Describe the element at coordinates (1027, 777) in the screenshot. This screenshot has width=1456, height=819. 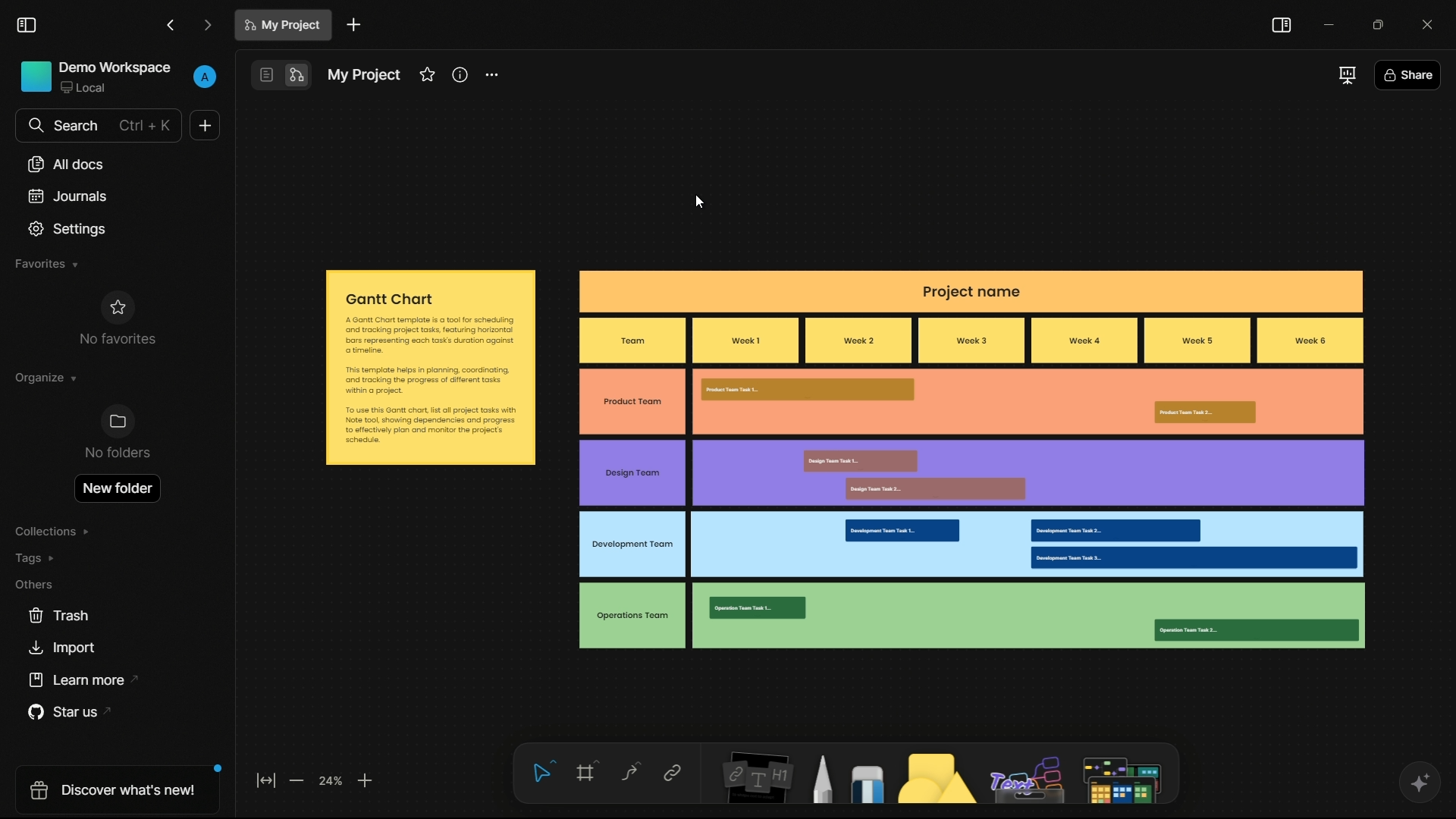
I see `others` at that location.